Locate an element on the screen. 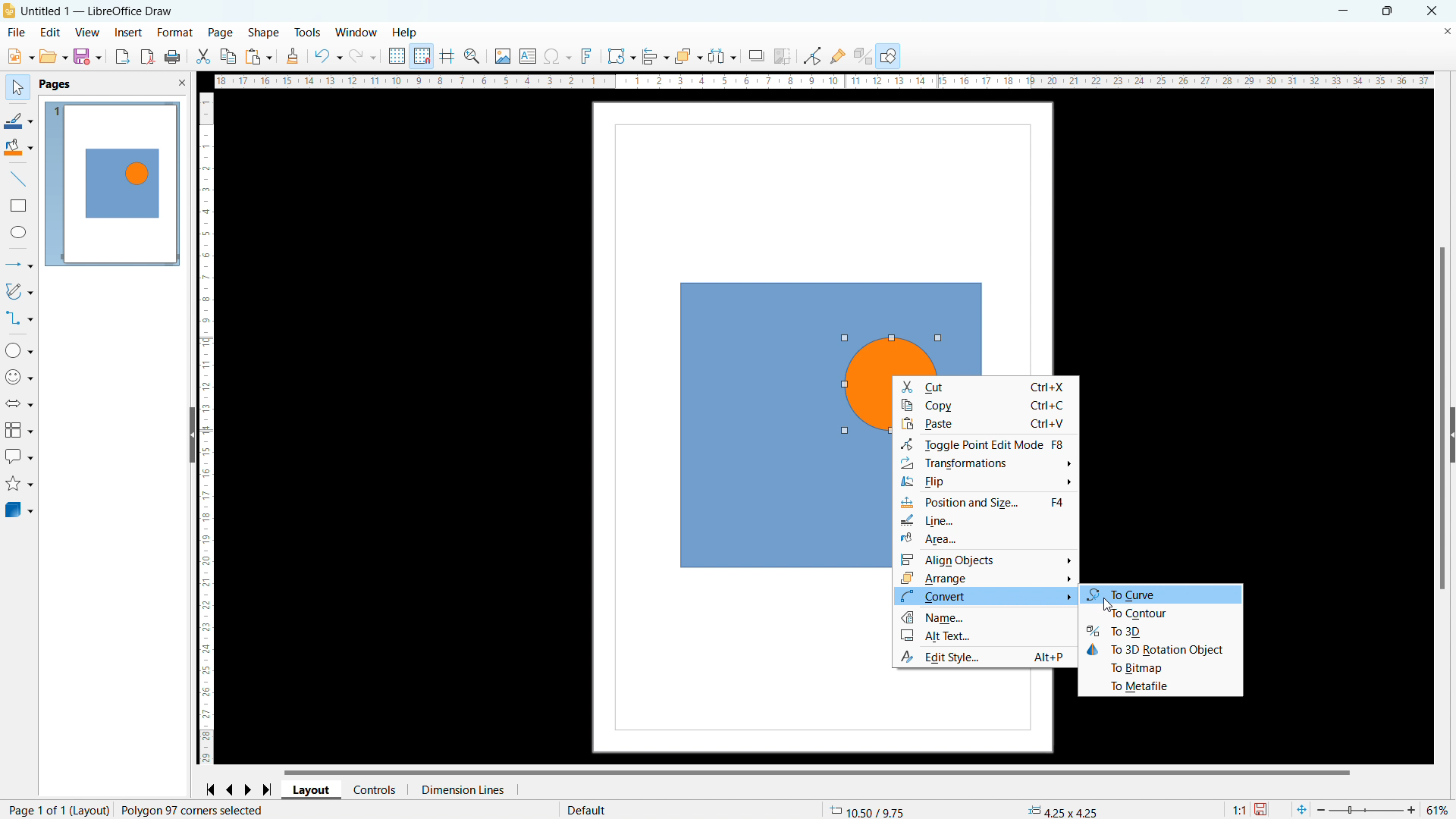 The width and height of the screenshot is (1456, 819). fill color is located at coordinates (19, 147).